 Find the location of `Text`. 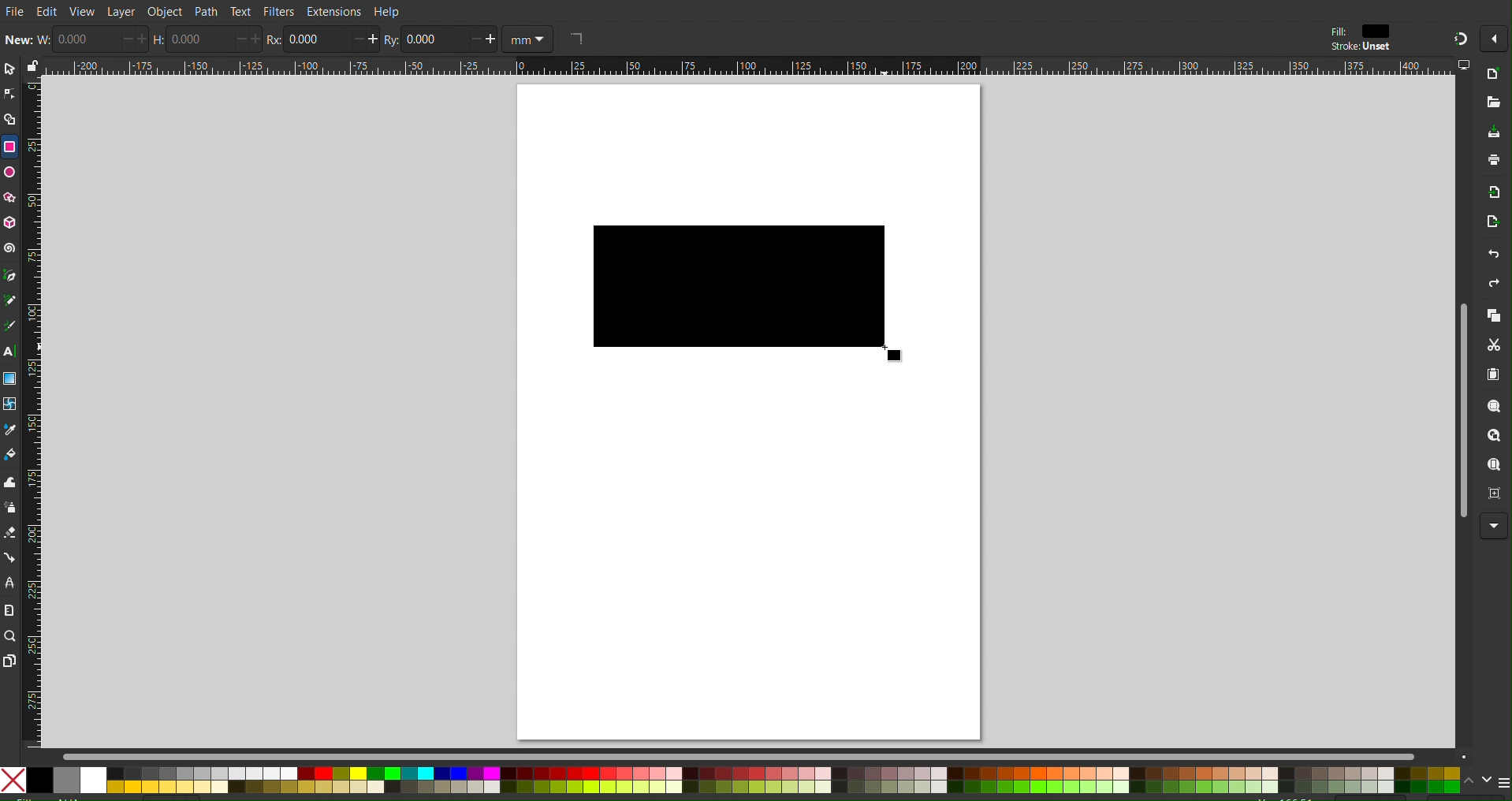

Text is located at coordinates (240, 12).